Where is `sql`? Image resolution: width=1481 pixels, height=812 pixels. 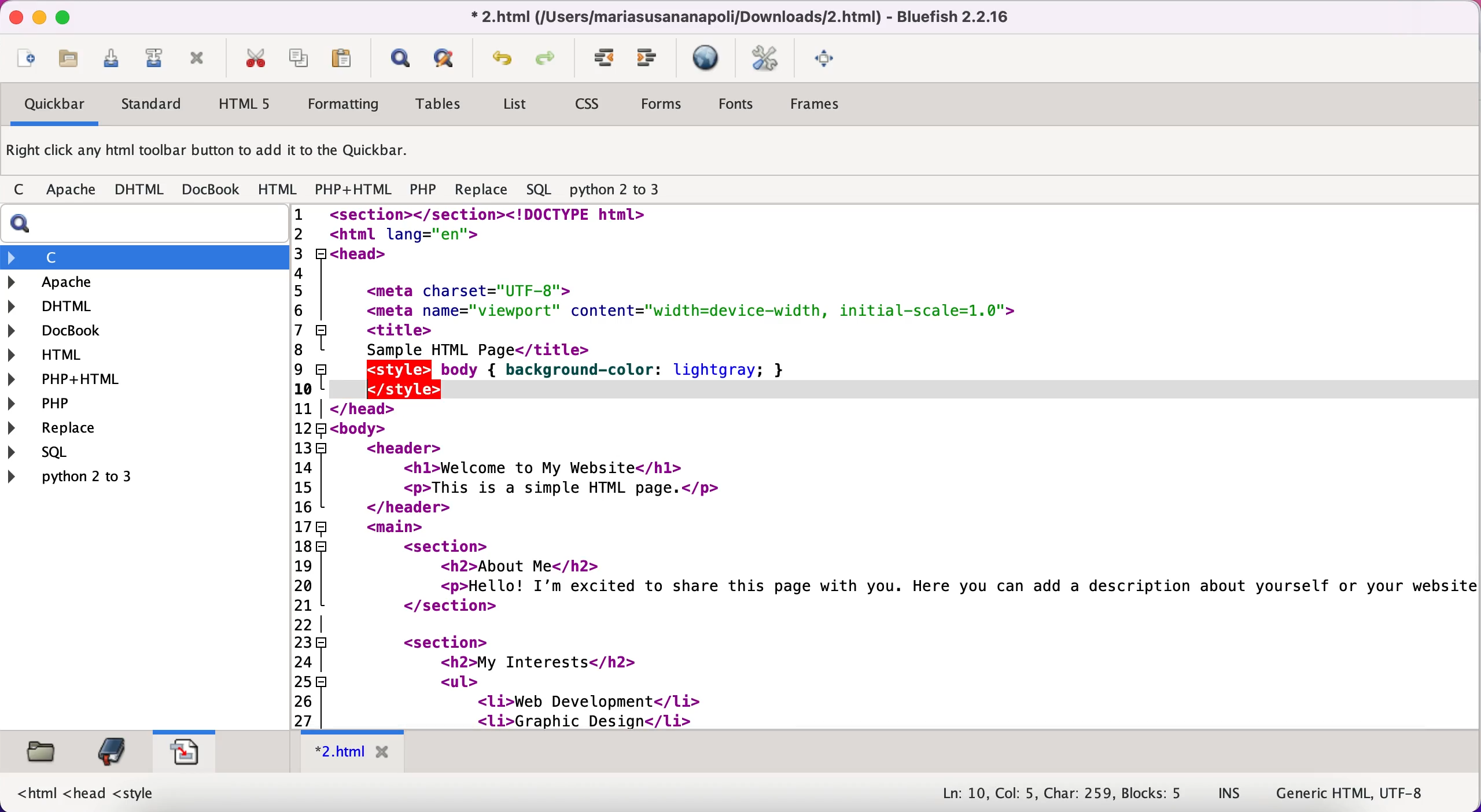
sql is located at coordinates (541, 190).